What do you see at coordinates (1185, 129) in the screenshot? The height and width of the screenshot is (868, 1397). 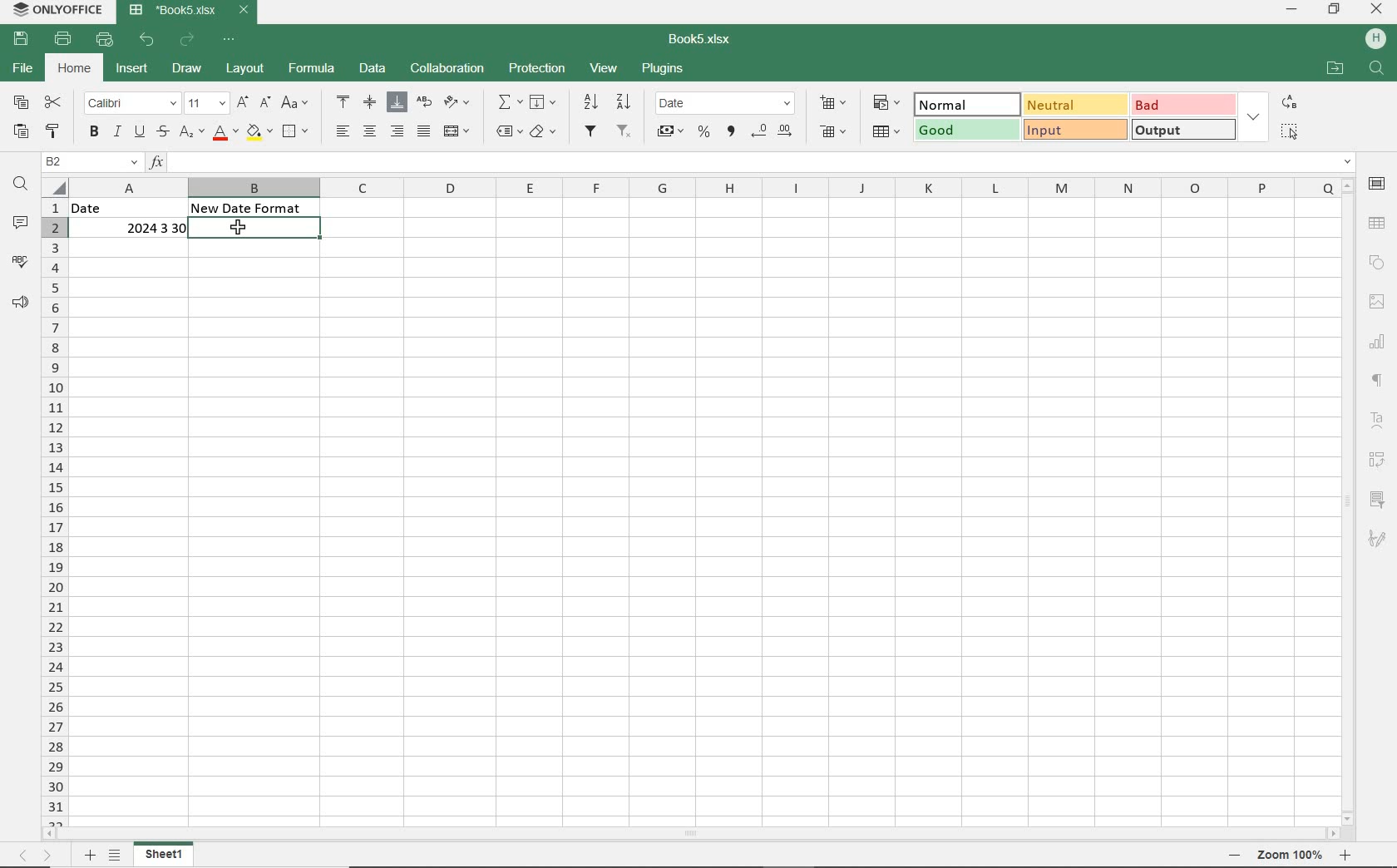 I see `OUTPUT` at bounding box center [1185, 129].